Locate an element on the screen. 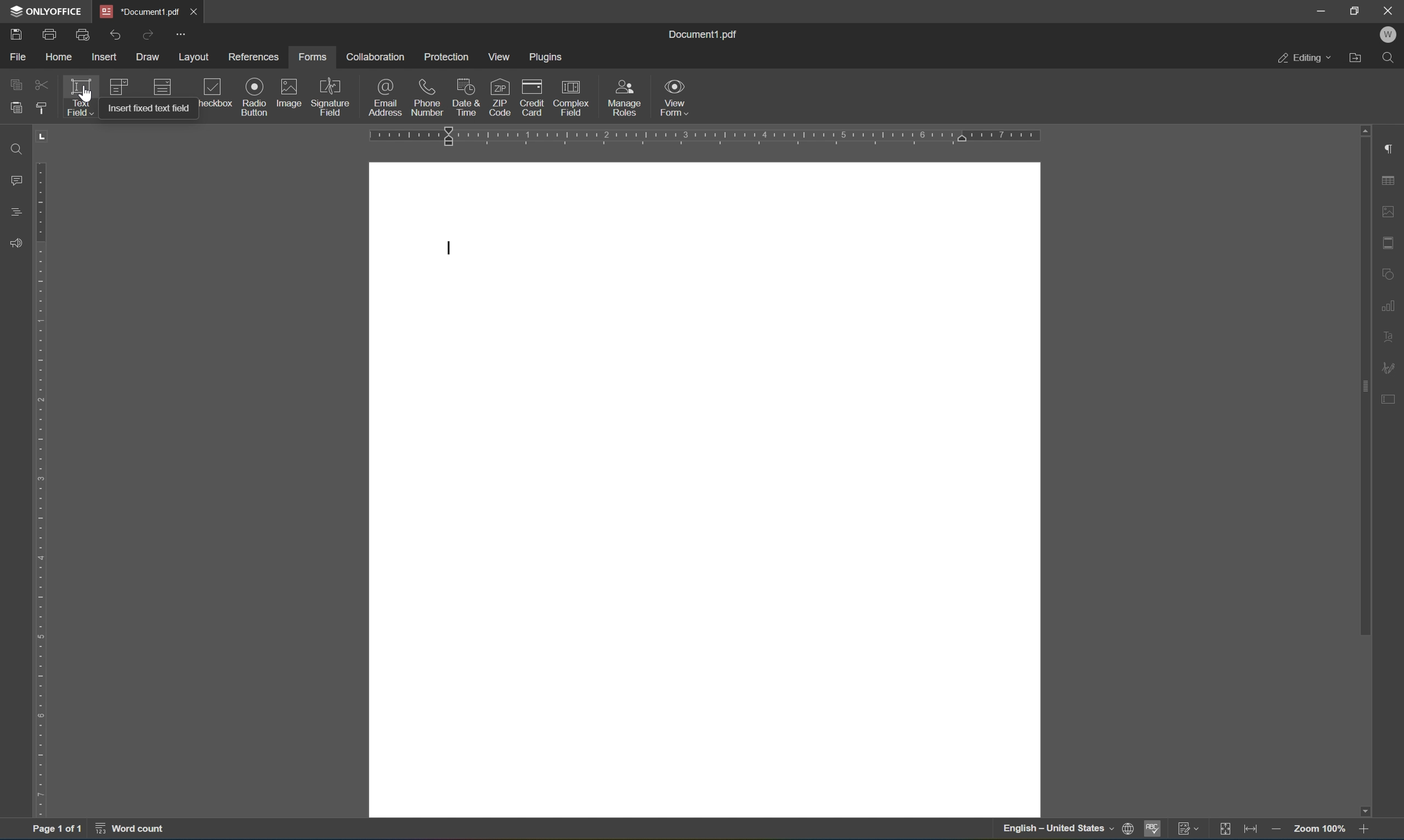 Image resolution: width=1404 pixels, height=840 pixels. ONLYOFFICE is located at coordinates (46, 11).